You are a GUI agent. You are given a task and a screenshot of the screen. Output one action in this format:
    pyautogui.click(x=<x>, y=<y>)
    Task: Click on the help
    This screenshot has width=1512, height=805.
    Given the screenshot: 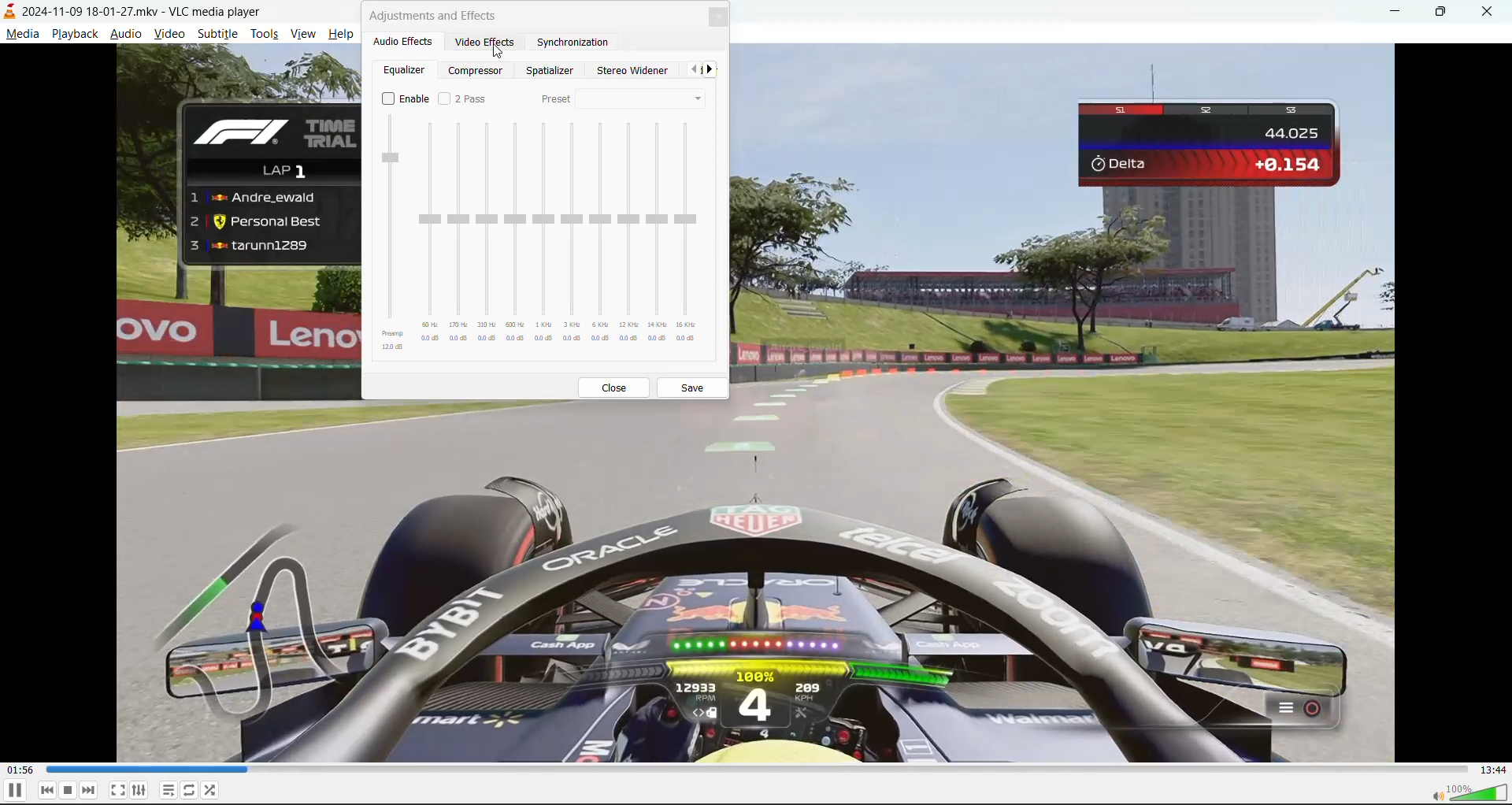 What is the action you would take?
    pyautogui.click(x=340, y=37)
    